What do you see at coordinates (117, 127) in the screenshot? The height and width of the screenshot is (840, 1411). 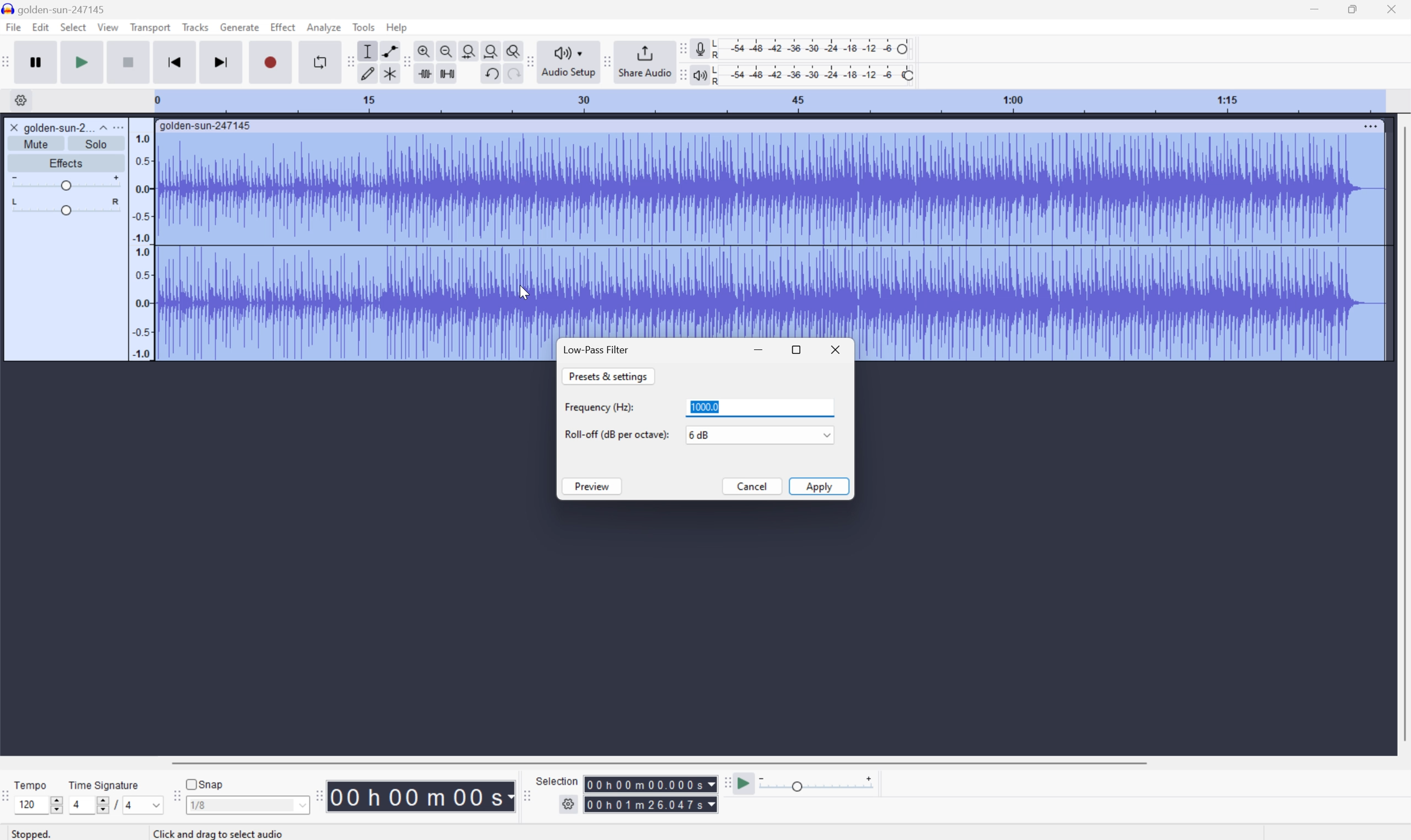 I see `More` at bounding box center [117, 127].